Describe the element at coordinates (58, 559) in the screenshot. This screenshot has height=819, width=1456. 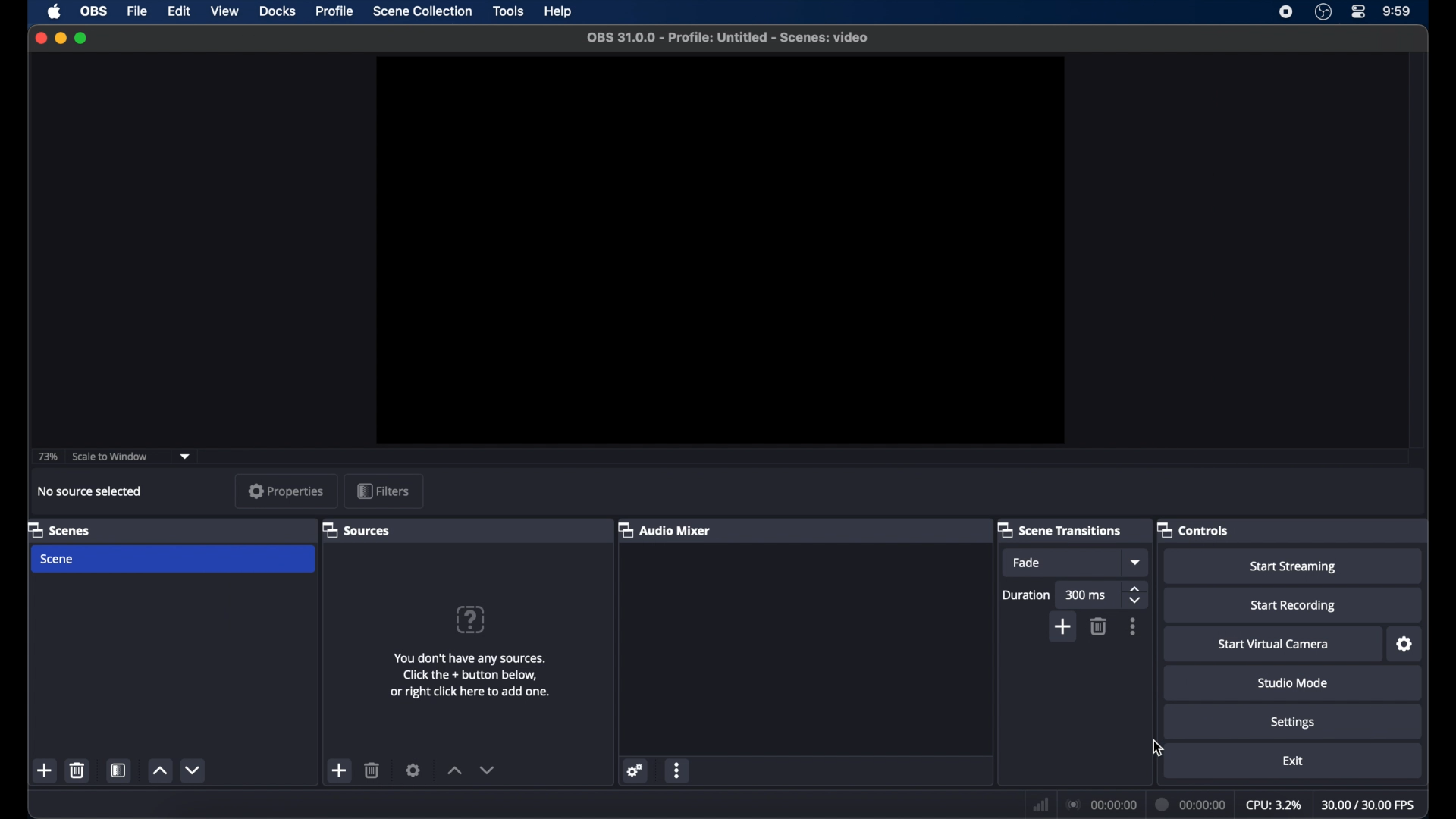
I see `scene` at that location.